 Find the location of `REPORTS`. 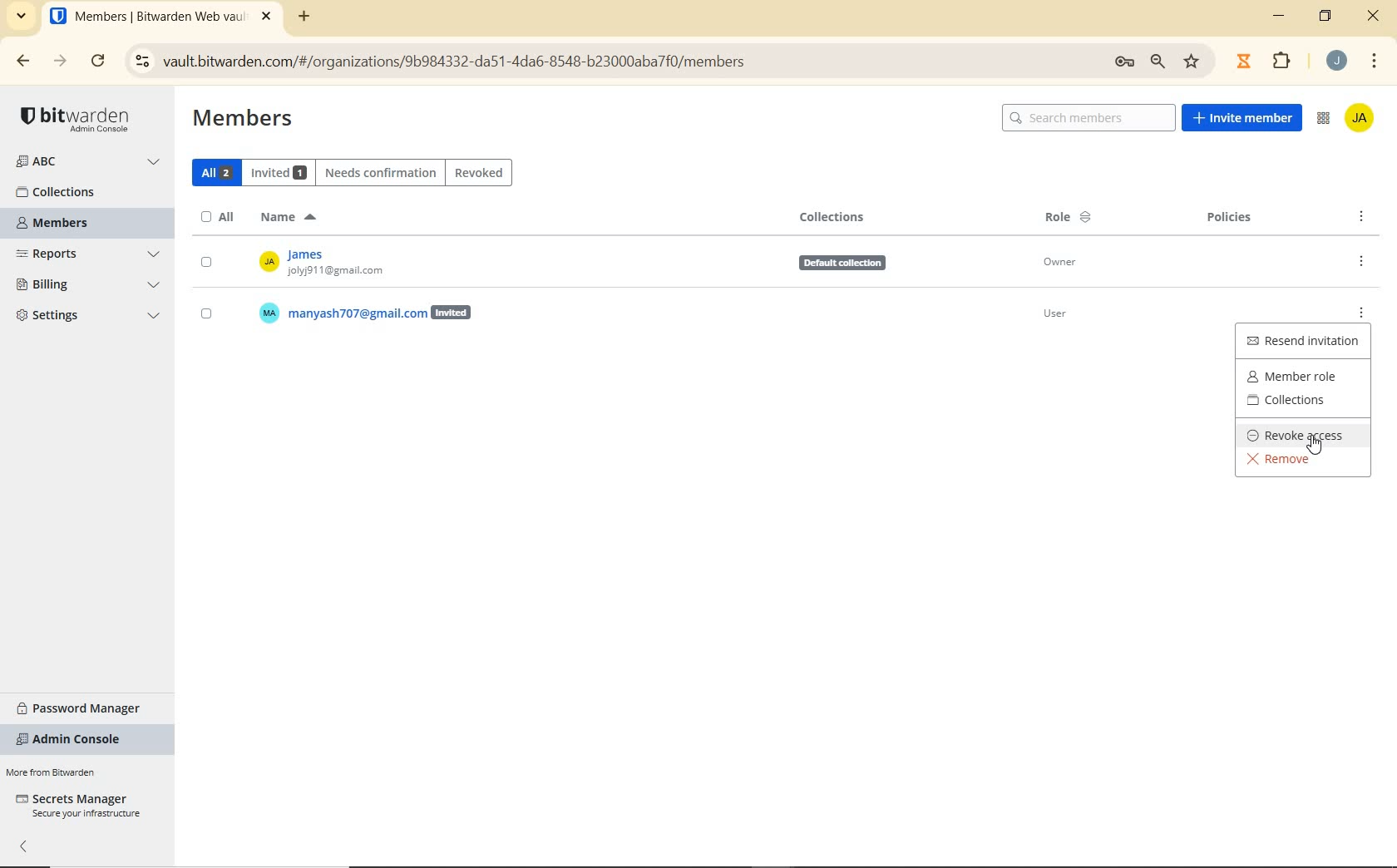

REPORTS is located at coordinates (91, 254).